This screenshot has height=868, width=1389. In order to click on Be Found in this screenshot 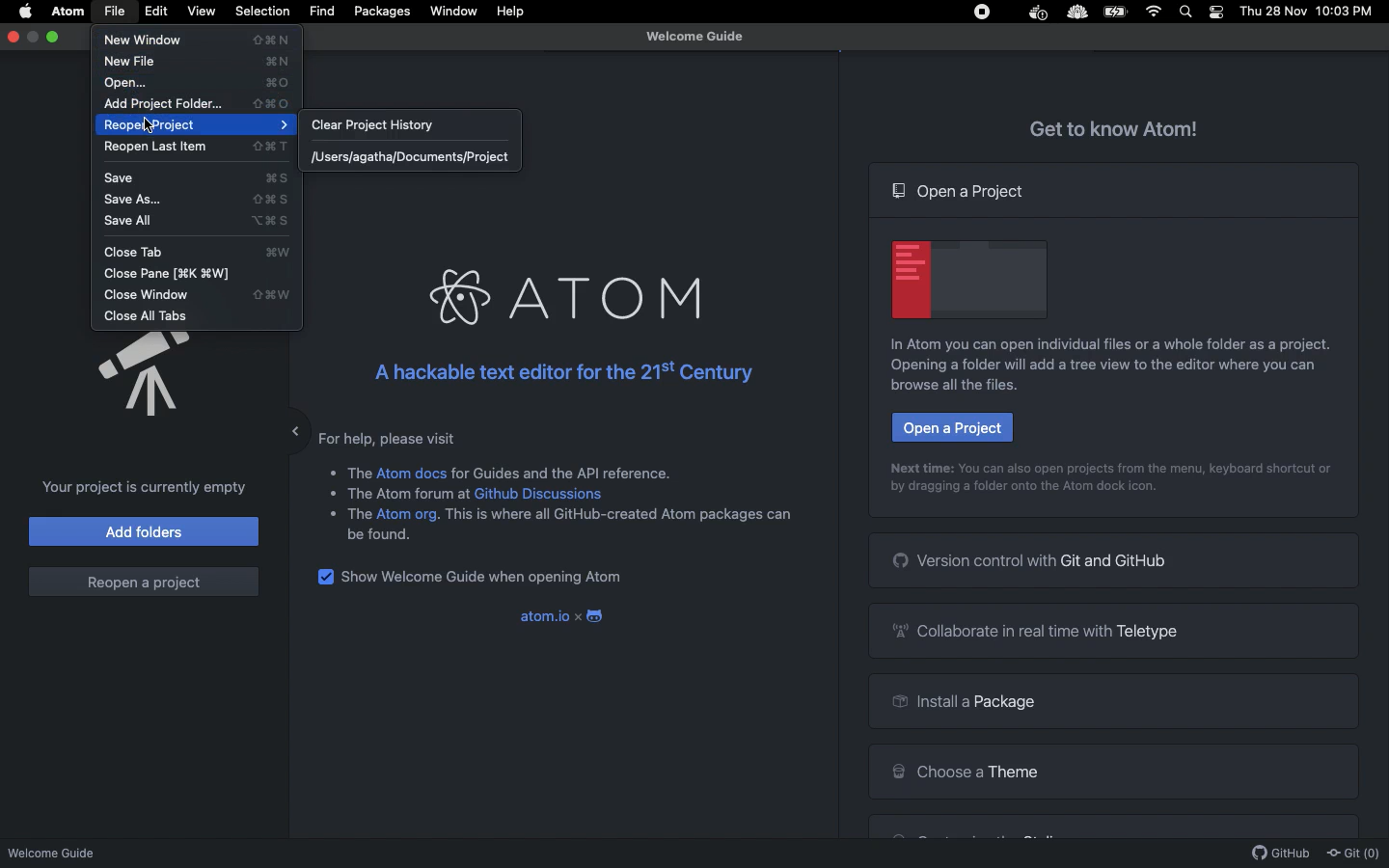, I will do `click(387, 535)`.